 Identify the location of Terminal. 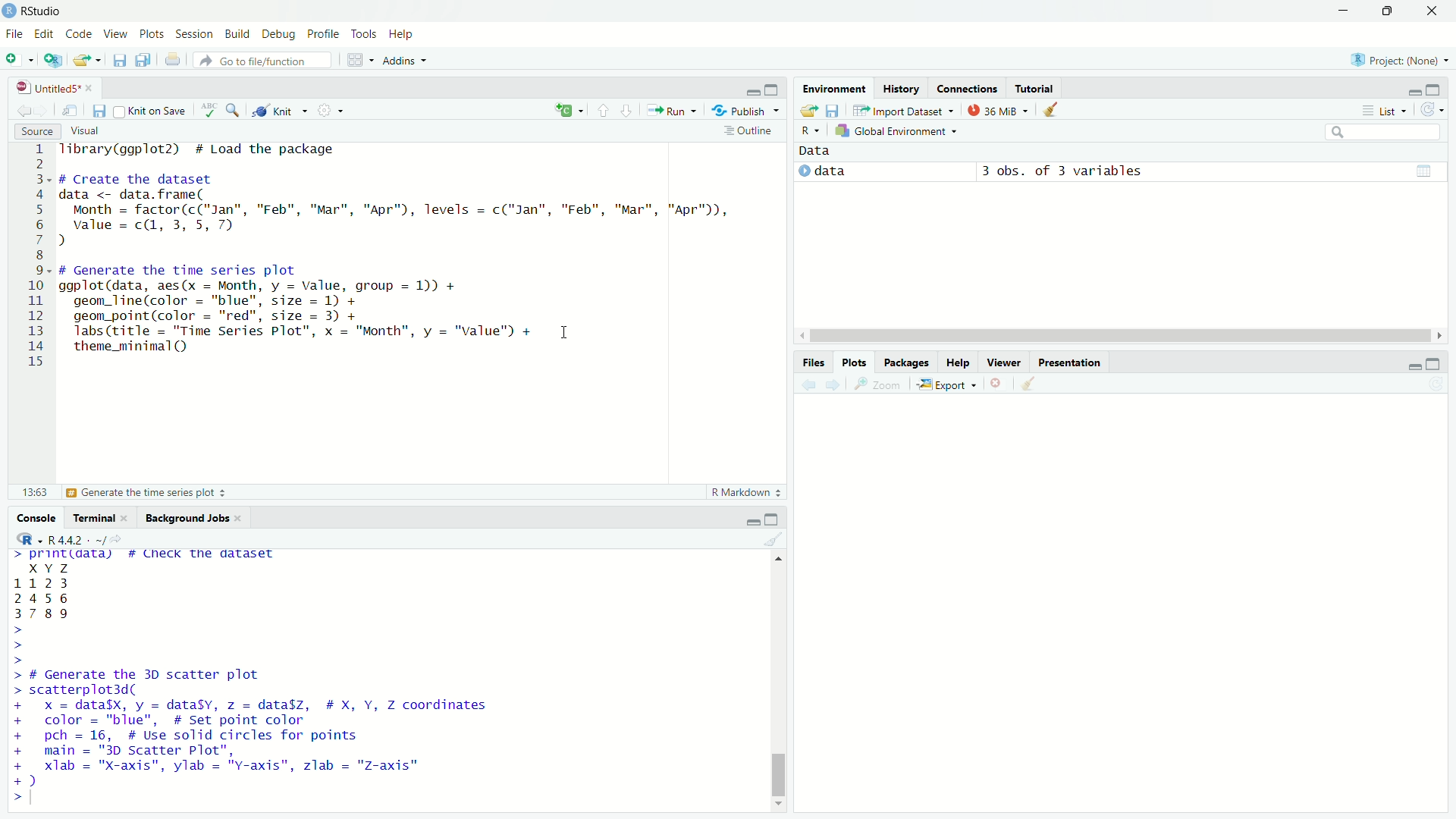
(93, 517).